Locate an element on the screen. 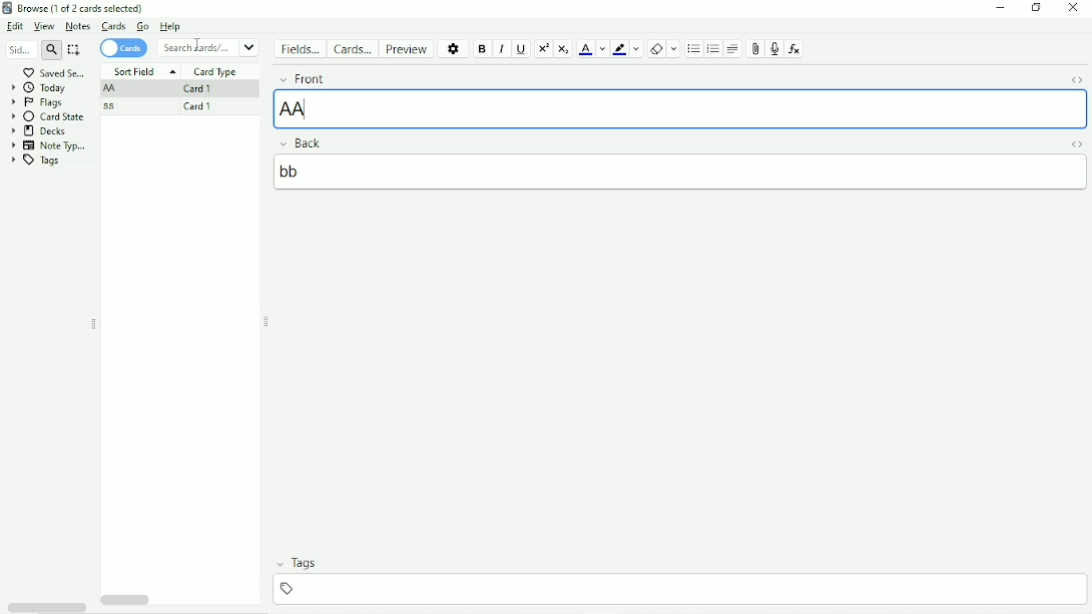 This screenshot has height=614, width=1092. Change color is located at coordinates (602, 49).